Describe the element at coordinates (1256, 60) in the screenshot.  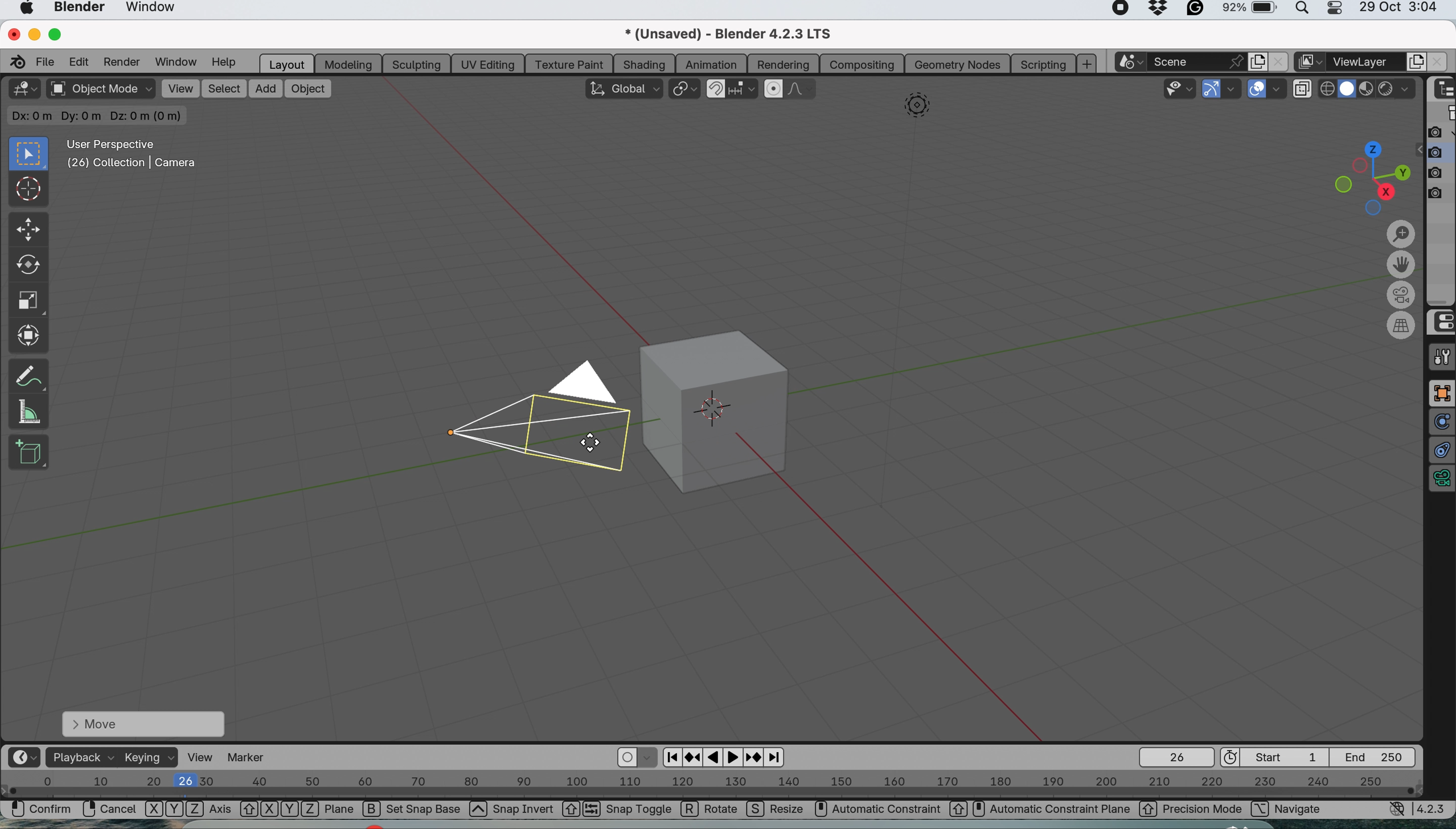
I see `new scene` at that location.